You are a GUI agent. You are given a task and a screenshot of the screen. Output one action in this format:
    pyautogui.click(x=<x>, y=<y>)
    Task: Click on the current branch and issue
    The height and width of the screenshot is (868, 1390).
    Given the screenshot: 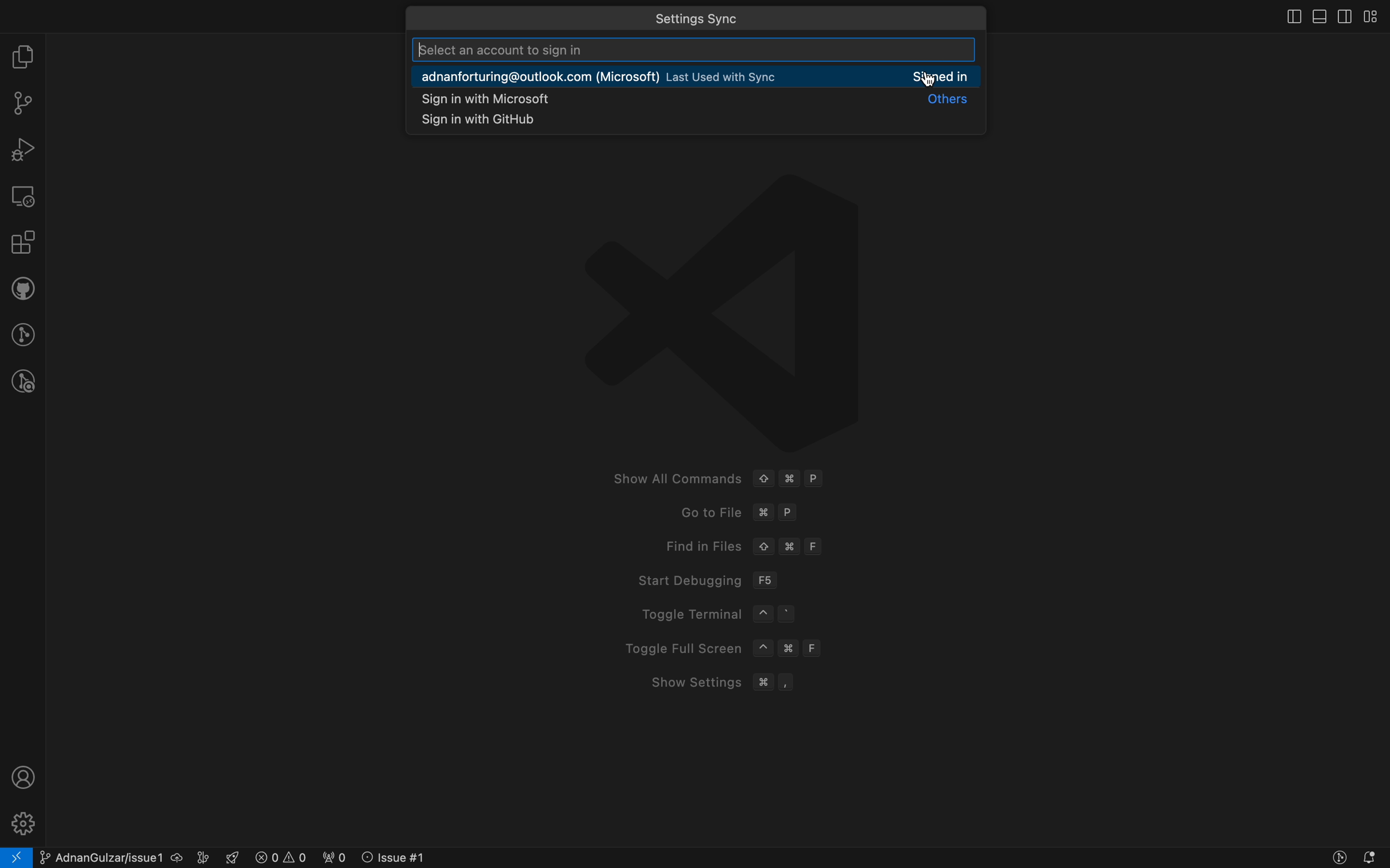 What is the action you would take?
    pyautogui.click(x=126, y=857)
    